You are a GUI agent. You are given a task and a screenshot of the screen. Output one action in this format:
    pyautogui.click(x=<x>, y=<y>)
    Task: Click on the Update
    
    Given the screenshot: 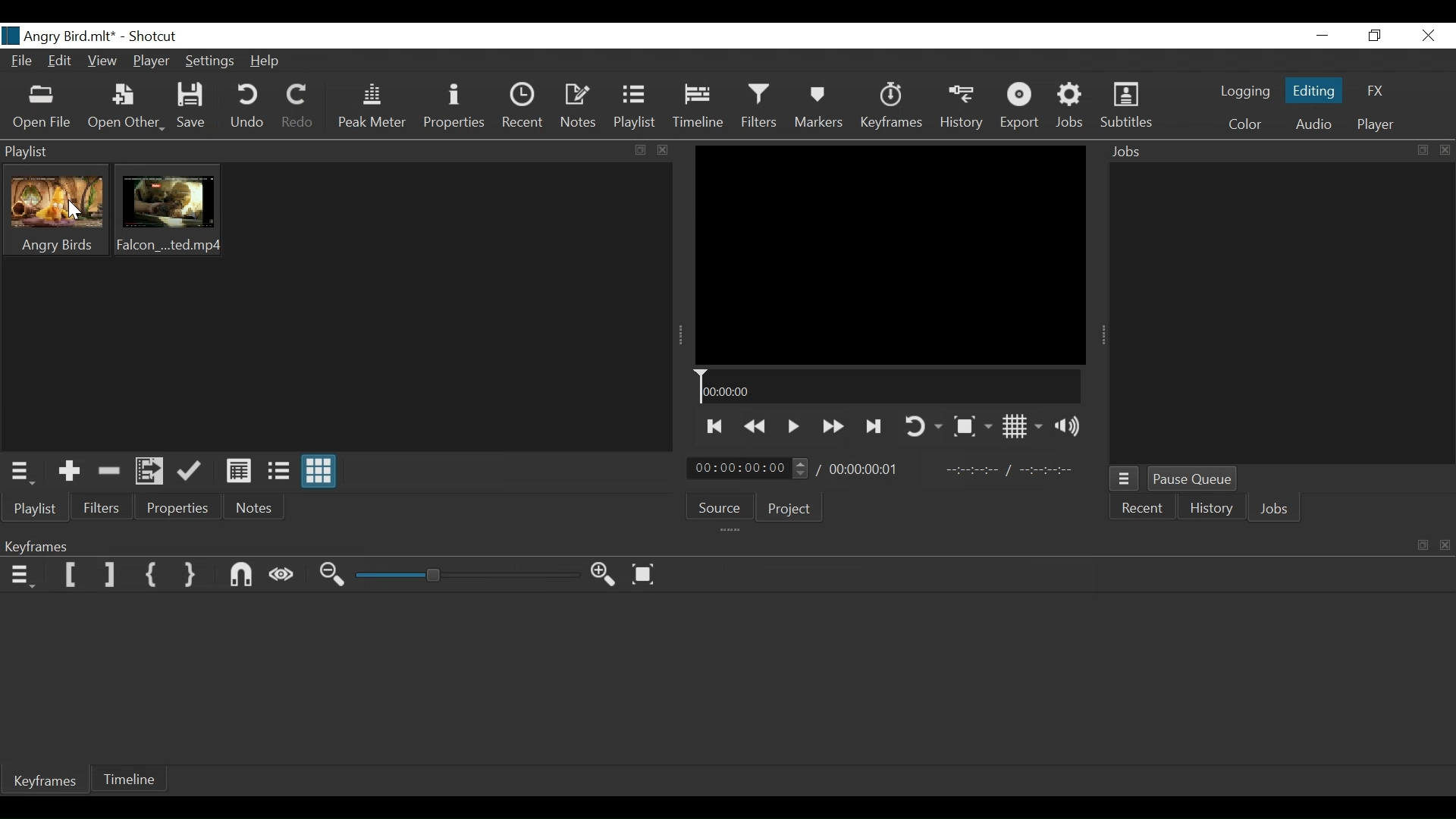 What is the action you would take?
    pyautogui.click(x=190, y=472)
    